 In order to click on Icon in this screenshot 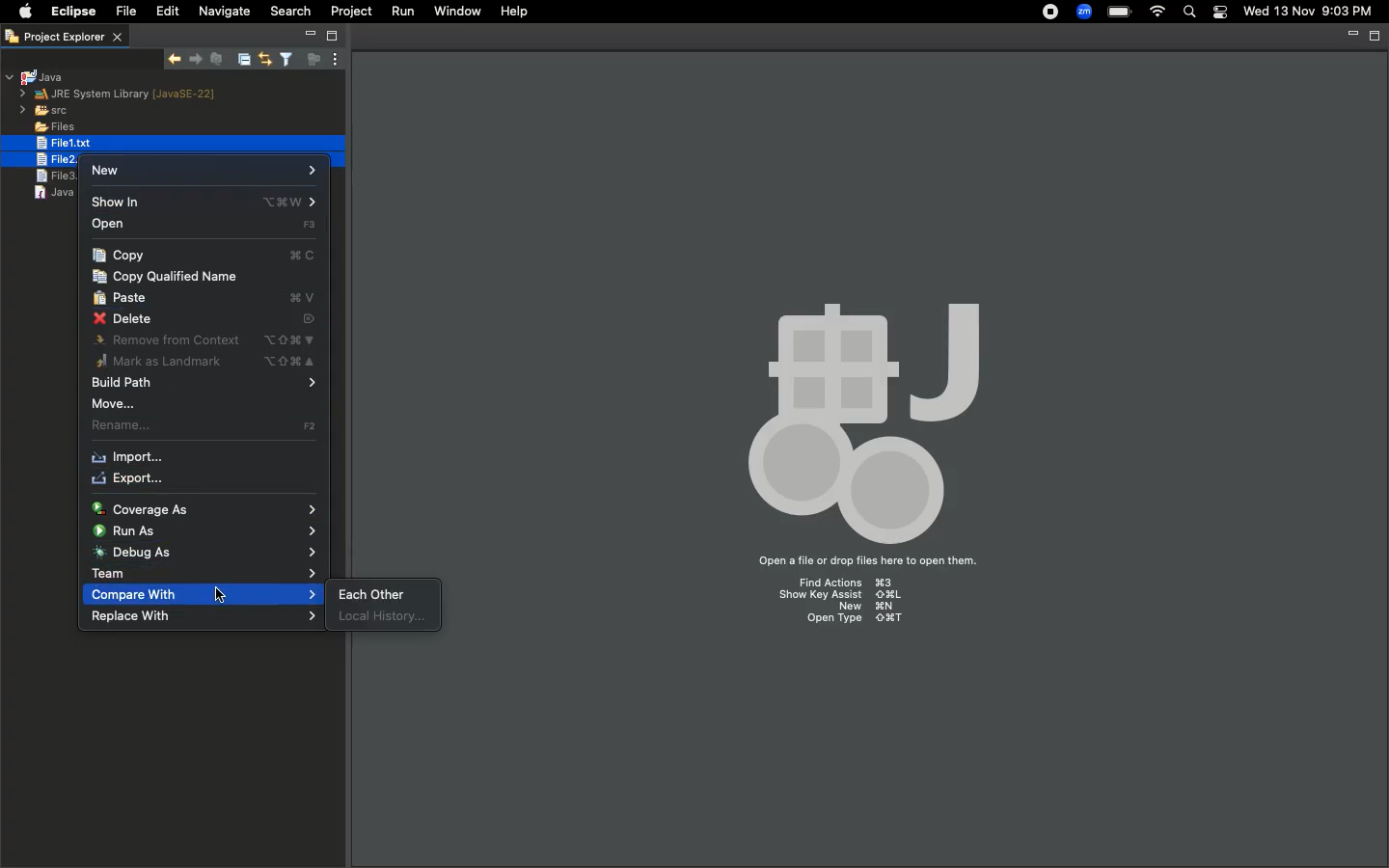, I will do `click(862, 407)`.